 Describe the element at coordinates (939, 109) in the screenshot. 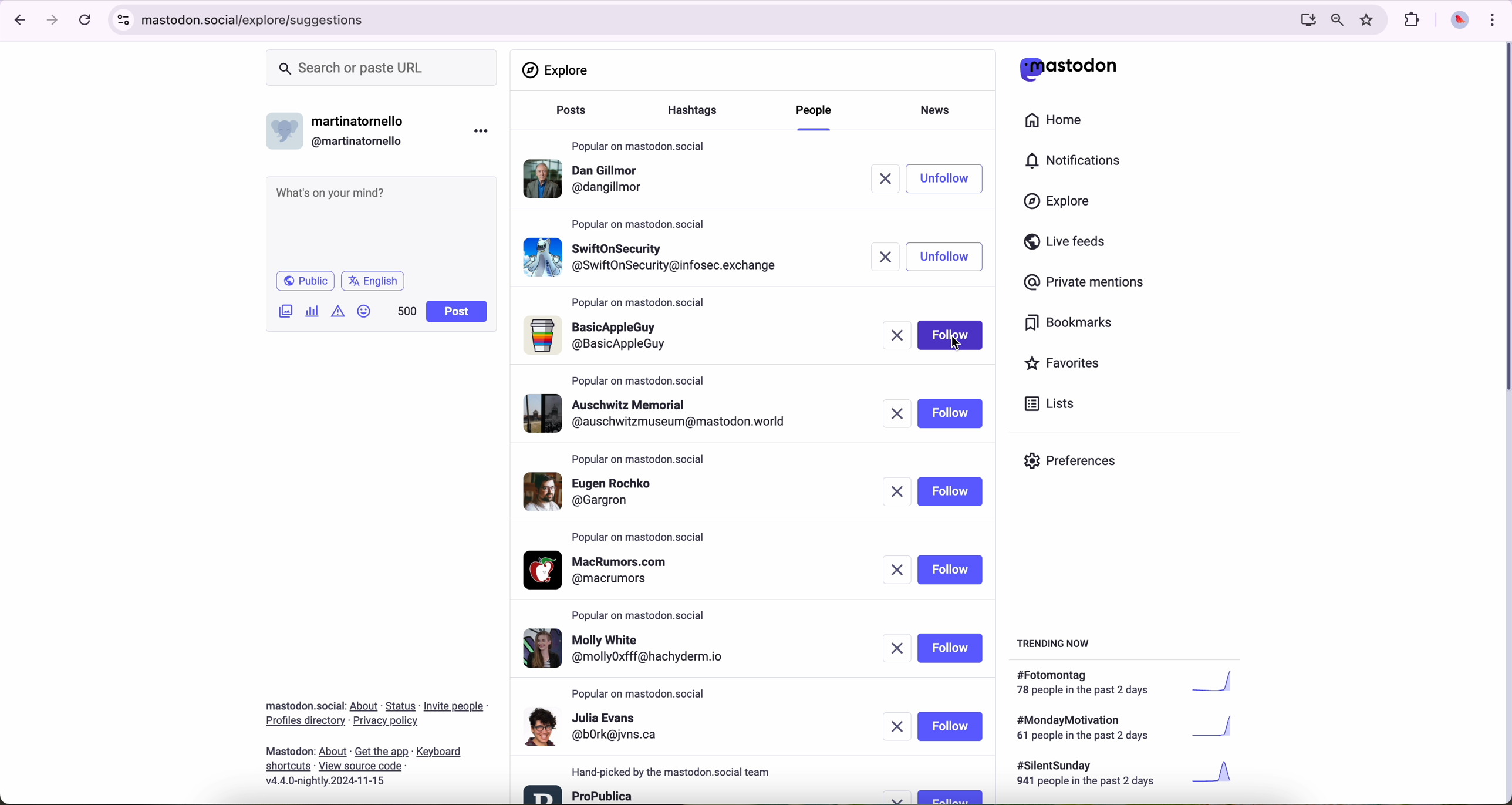

I see `news` at that location.